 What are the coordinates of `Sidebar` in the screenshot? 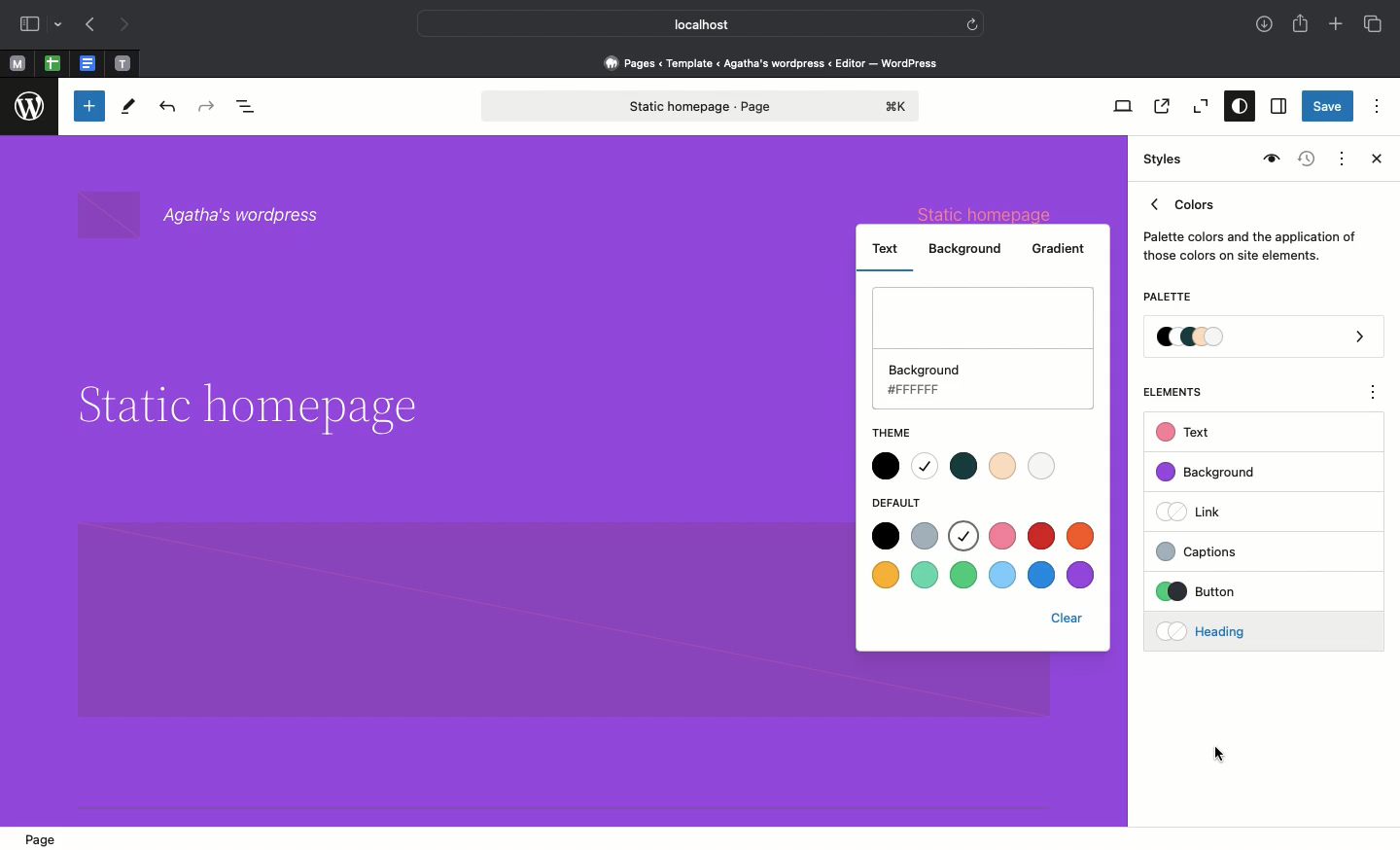 It's located at (29, 24).